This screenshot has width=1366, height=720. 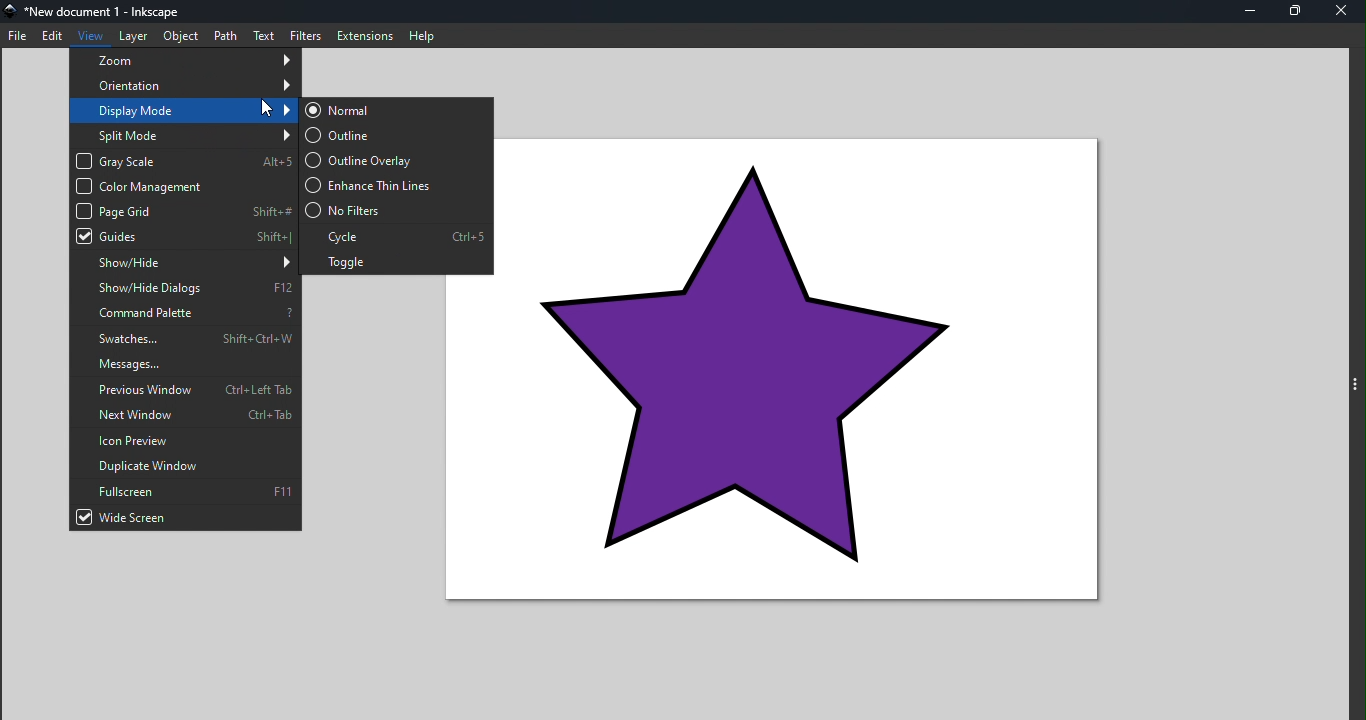 I want to click on Split mode, so click(x=182, y=135).